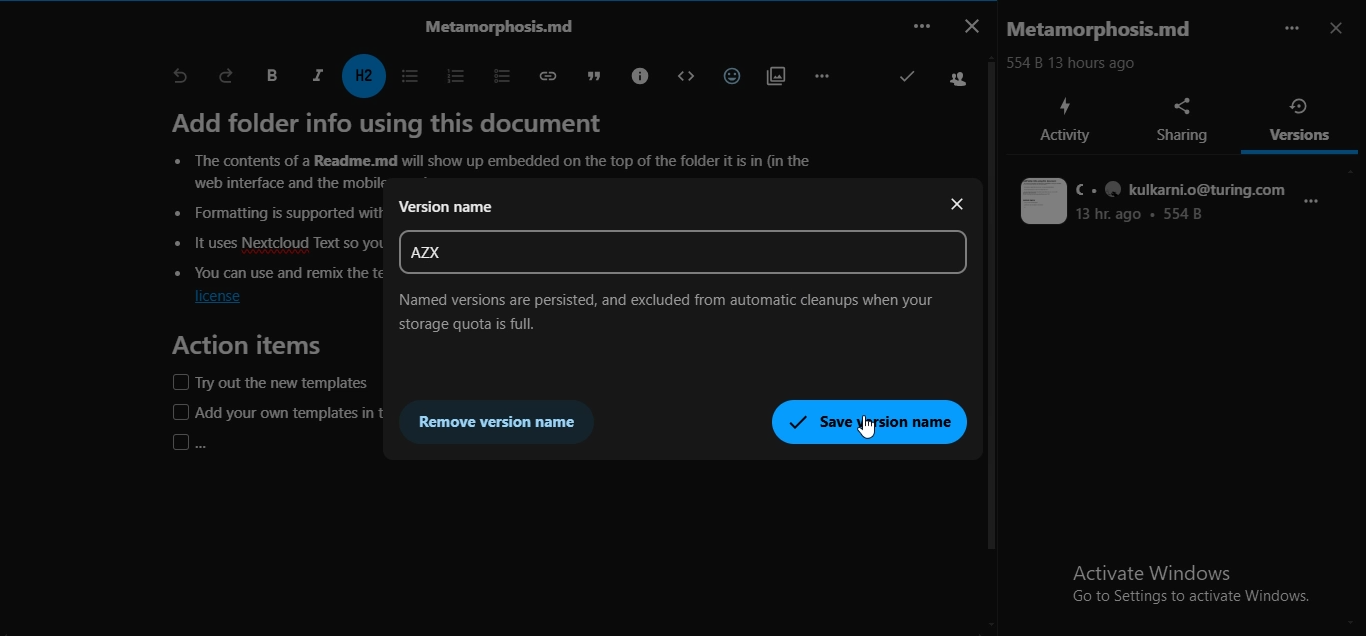  I want to click on azx, so click(424, 252).